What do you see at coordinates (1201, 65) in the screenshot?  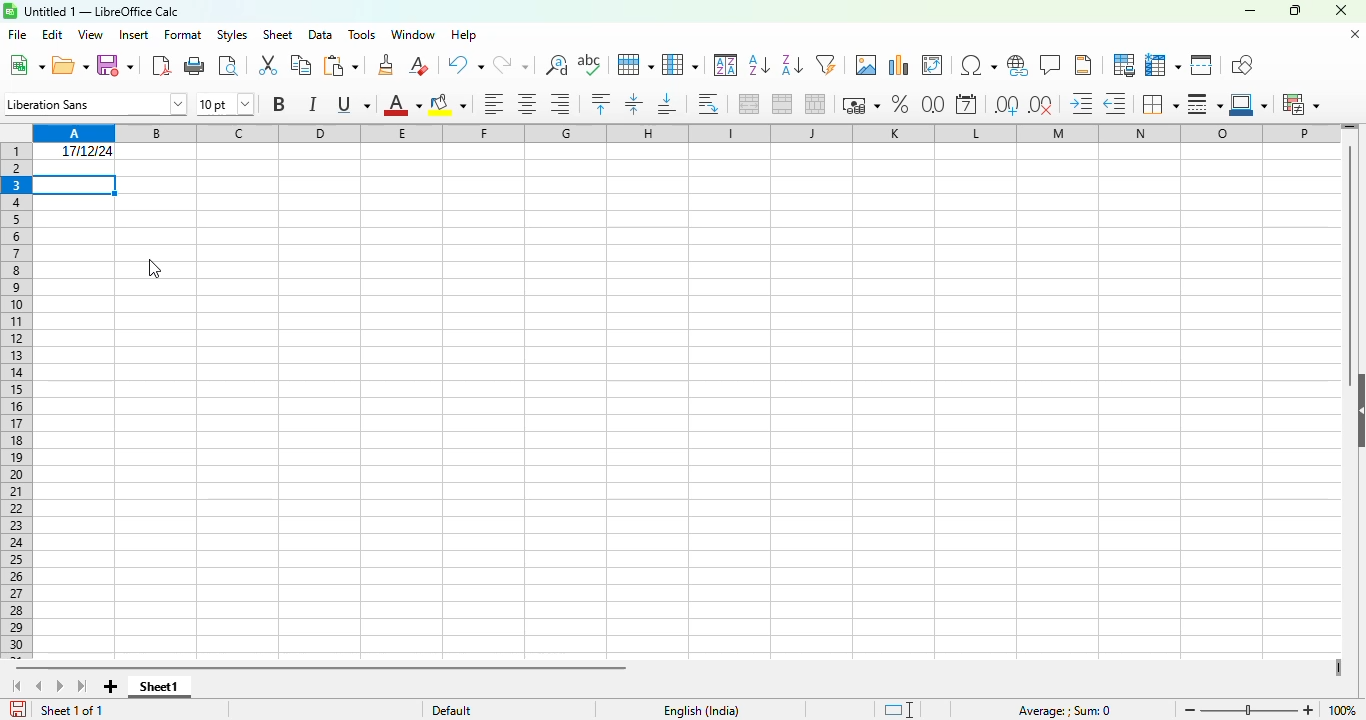 I see `split window` at bounding box center [1201, 65].